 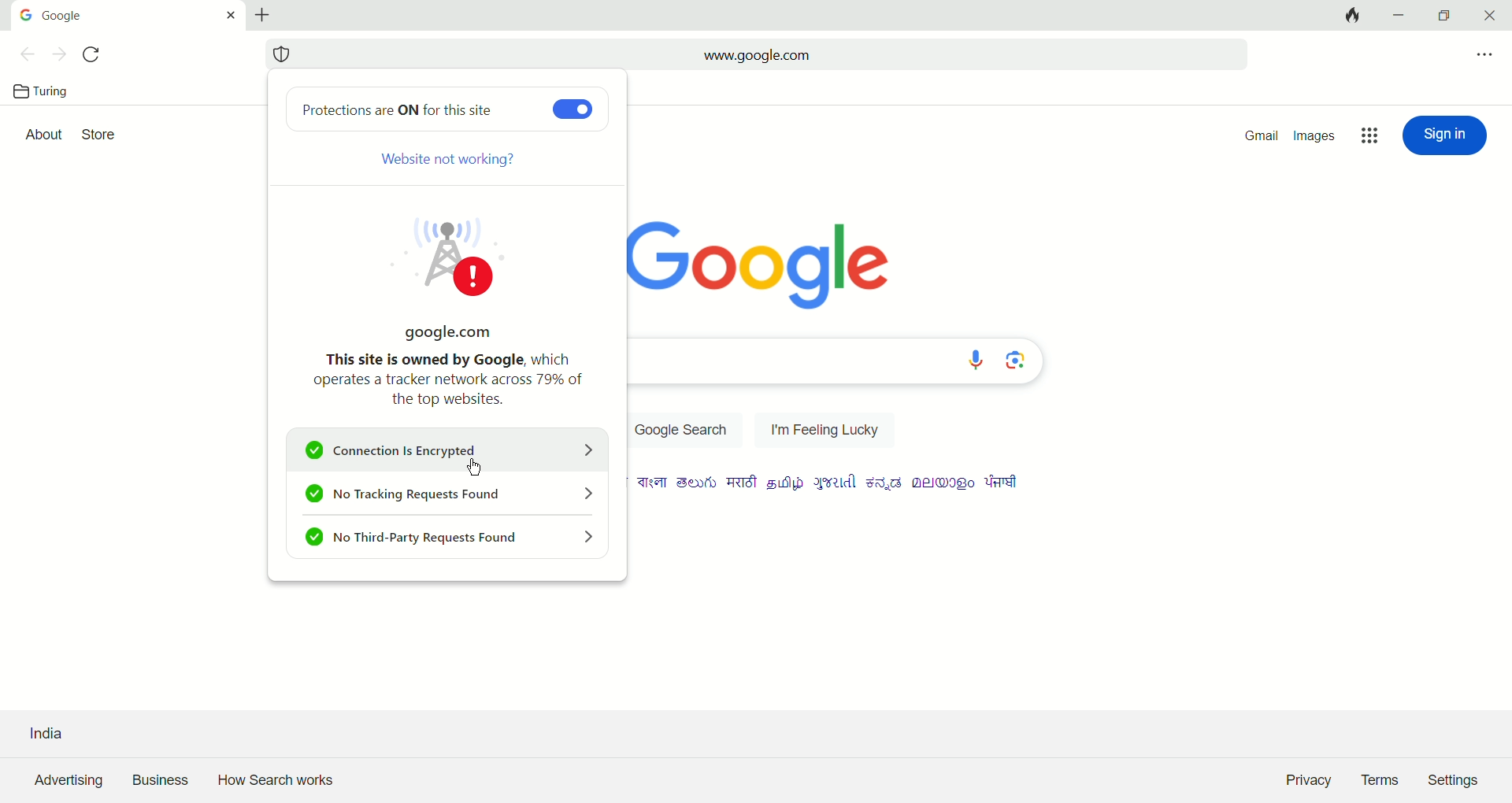 I want to click on close, so click(x=1492, y=16).